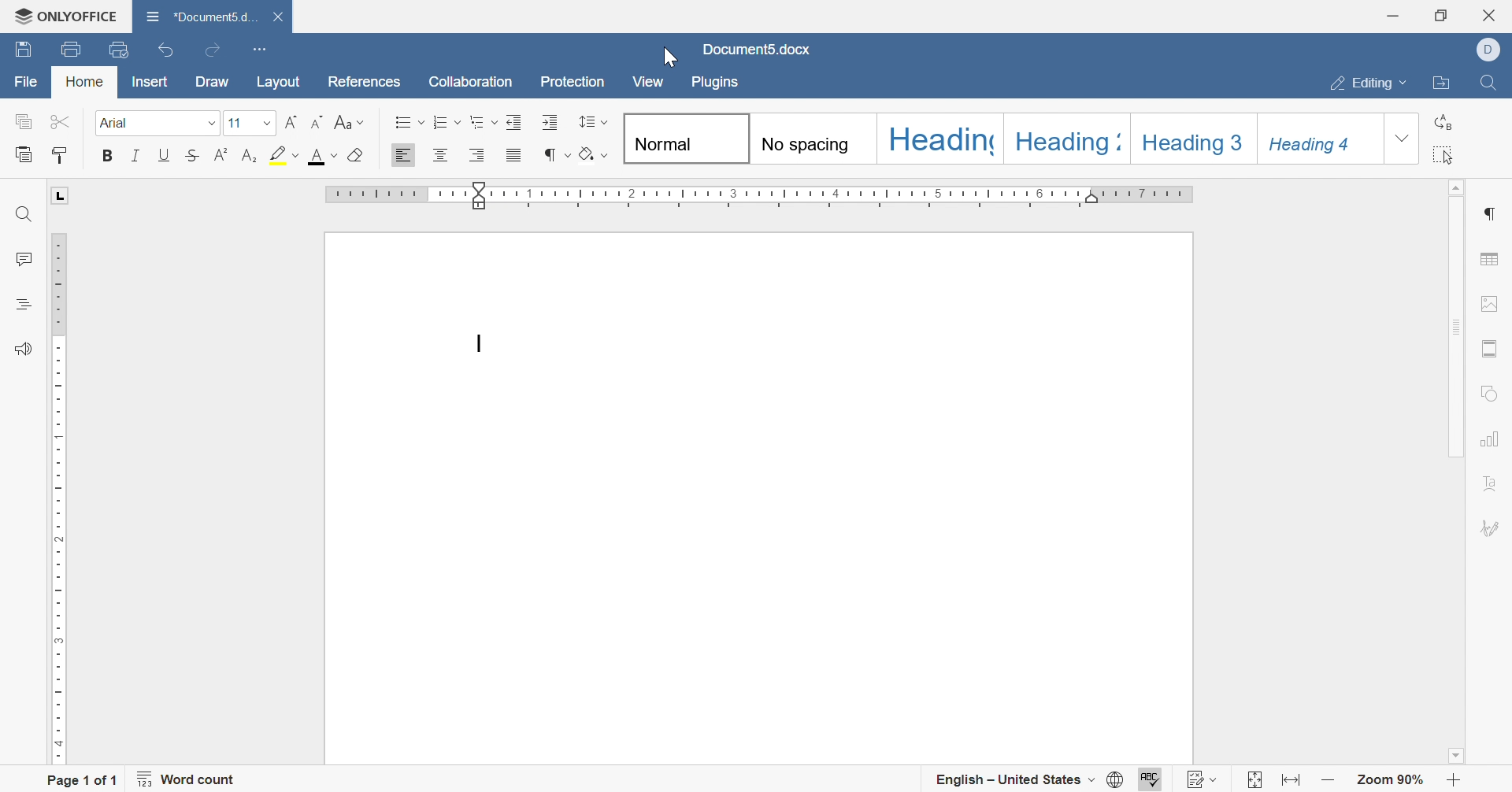 The width and height of the screenshot is (1512, 792). I want to click on zoom out, so click(1327, 779).